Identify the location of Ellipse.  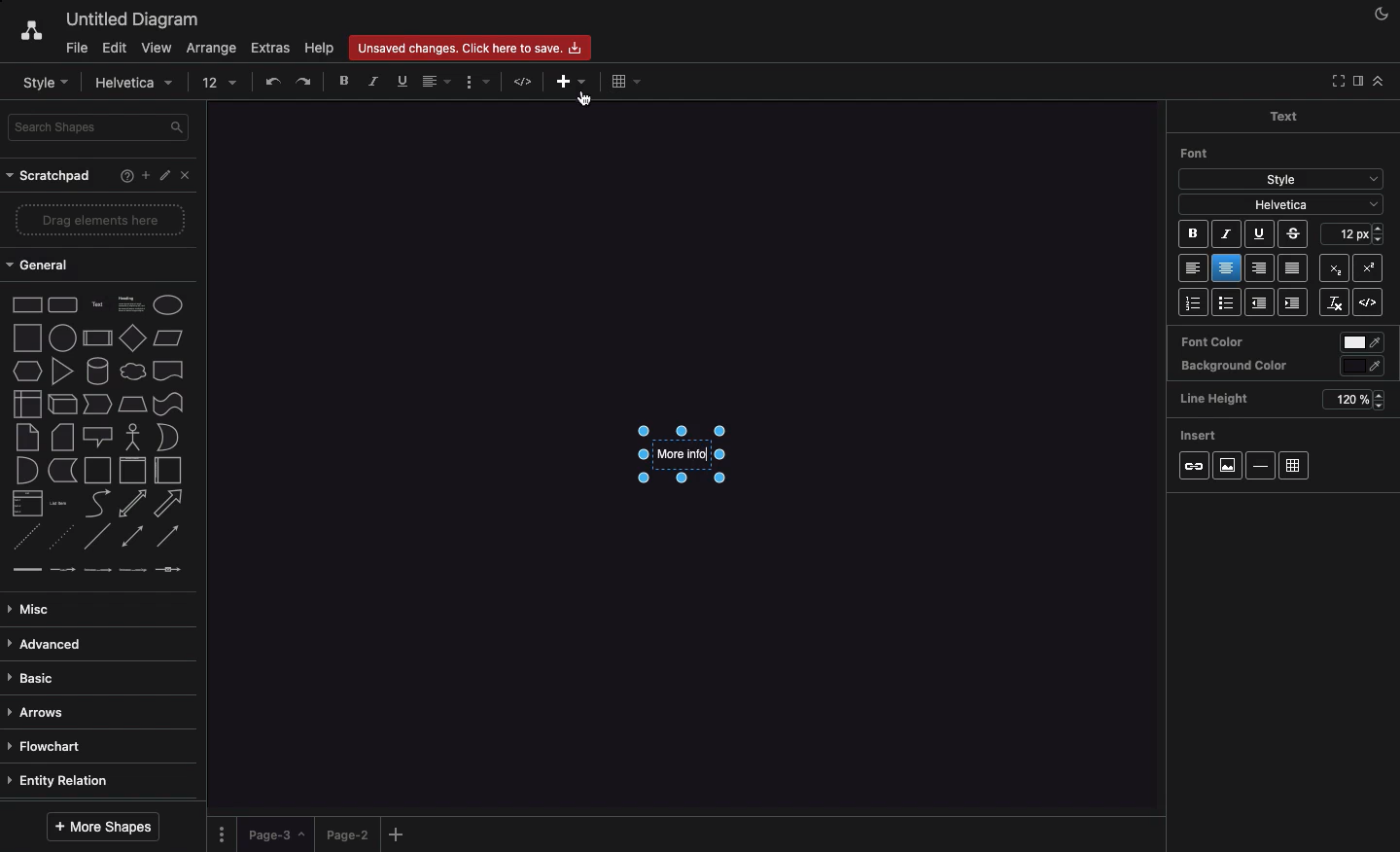
(168, 305).